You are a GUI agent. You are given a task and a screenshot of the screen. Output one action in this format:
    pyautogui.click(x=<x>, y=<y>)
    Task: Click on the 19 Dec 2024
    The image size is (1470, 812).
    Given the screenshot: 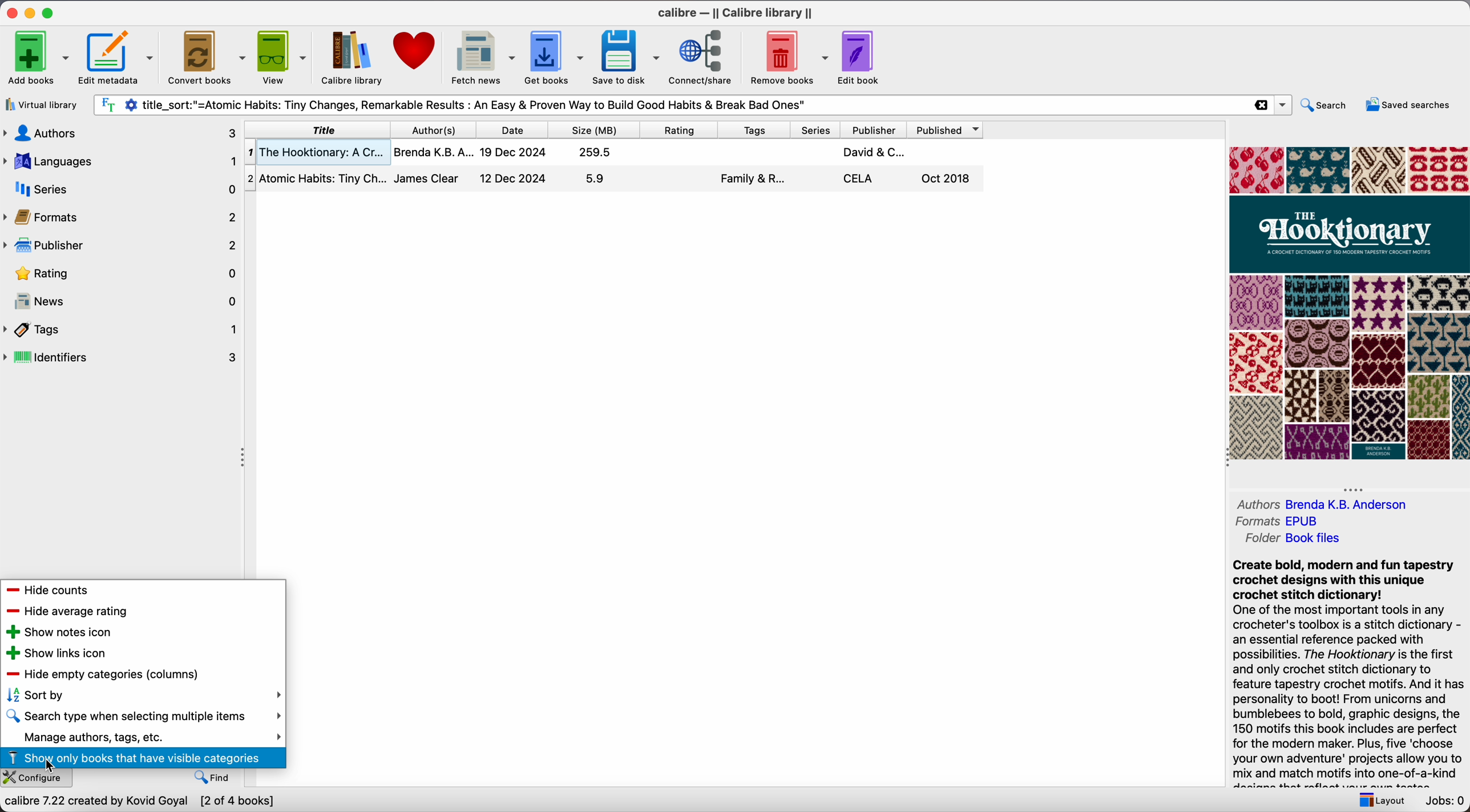 What is the action you would take?
    pyautogui.click(x=511, y=152)
    